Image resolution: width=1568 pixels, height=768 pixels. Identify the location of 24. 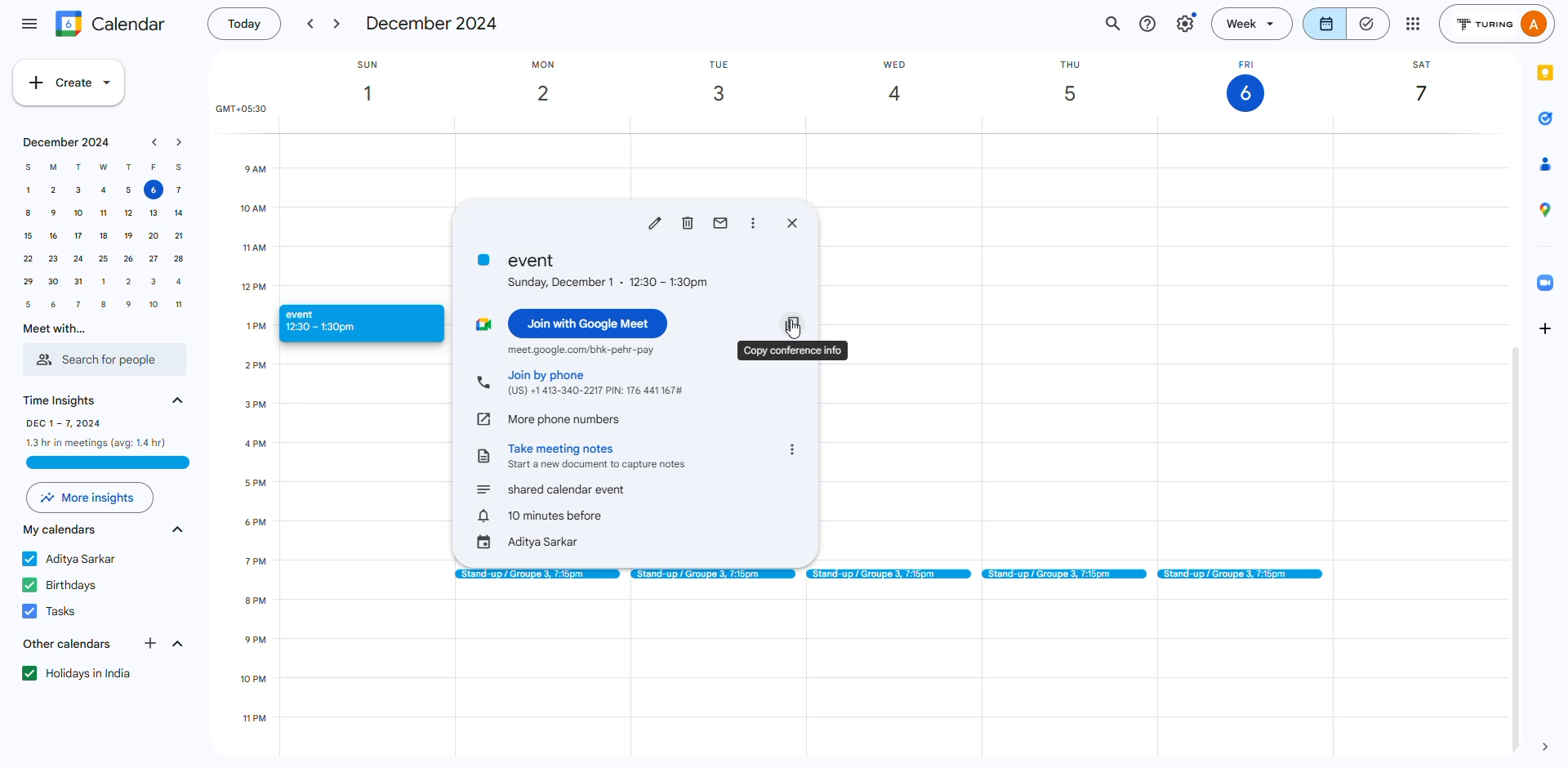
(78, 261).